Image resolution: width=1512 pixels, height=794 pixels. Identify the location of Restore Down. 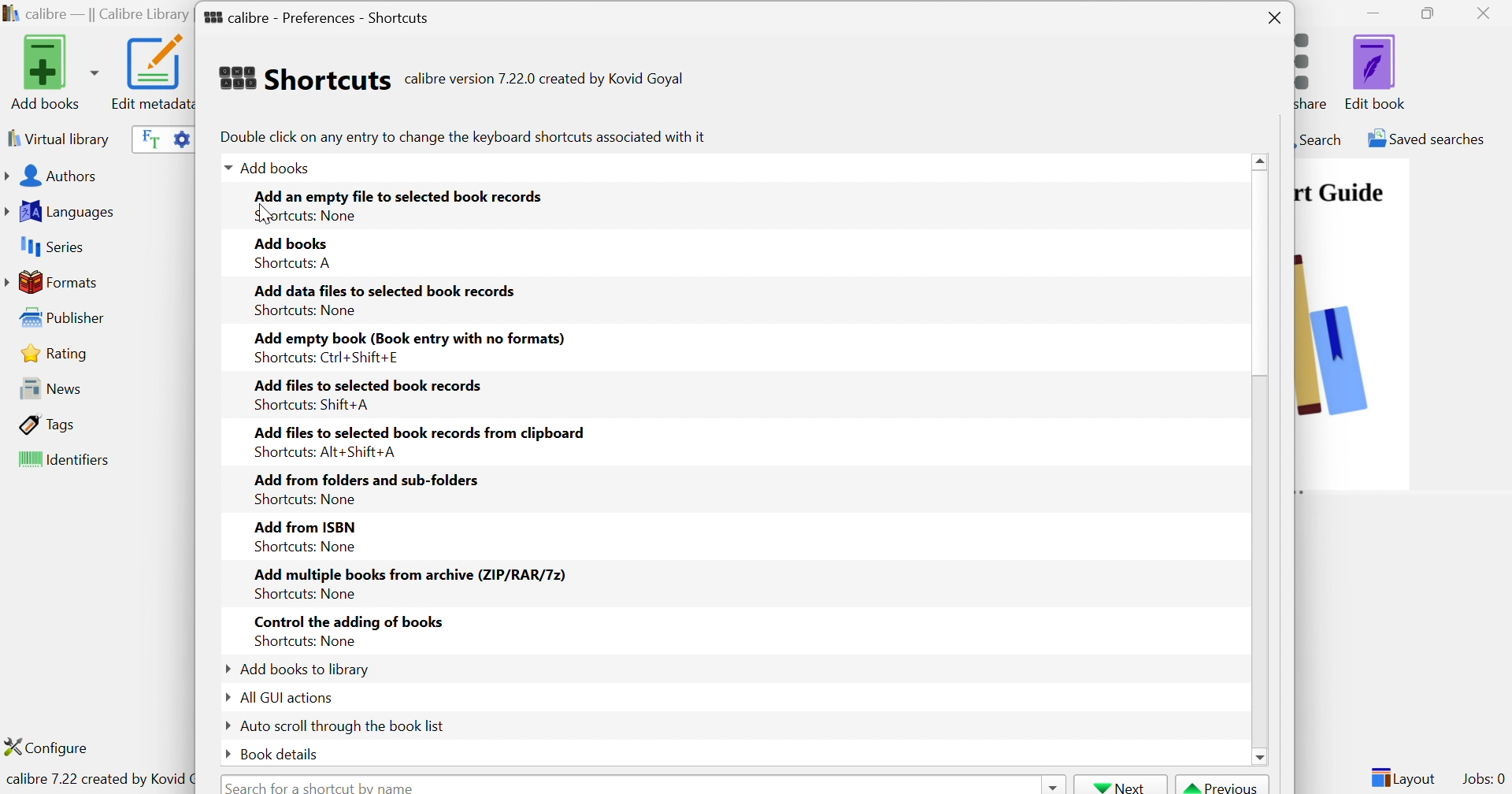
(1432, 14).